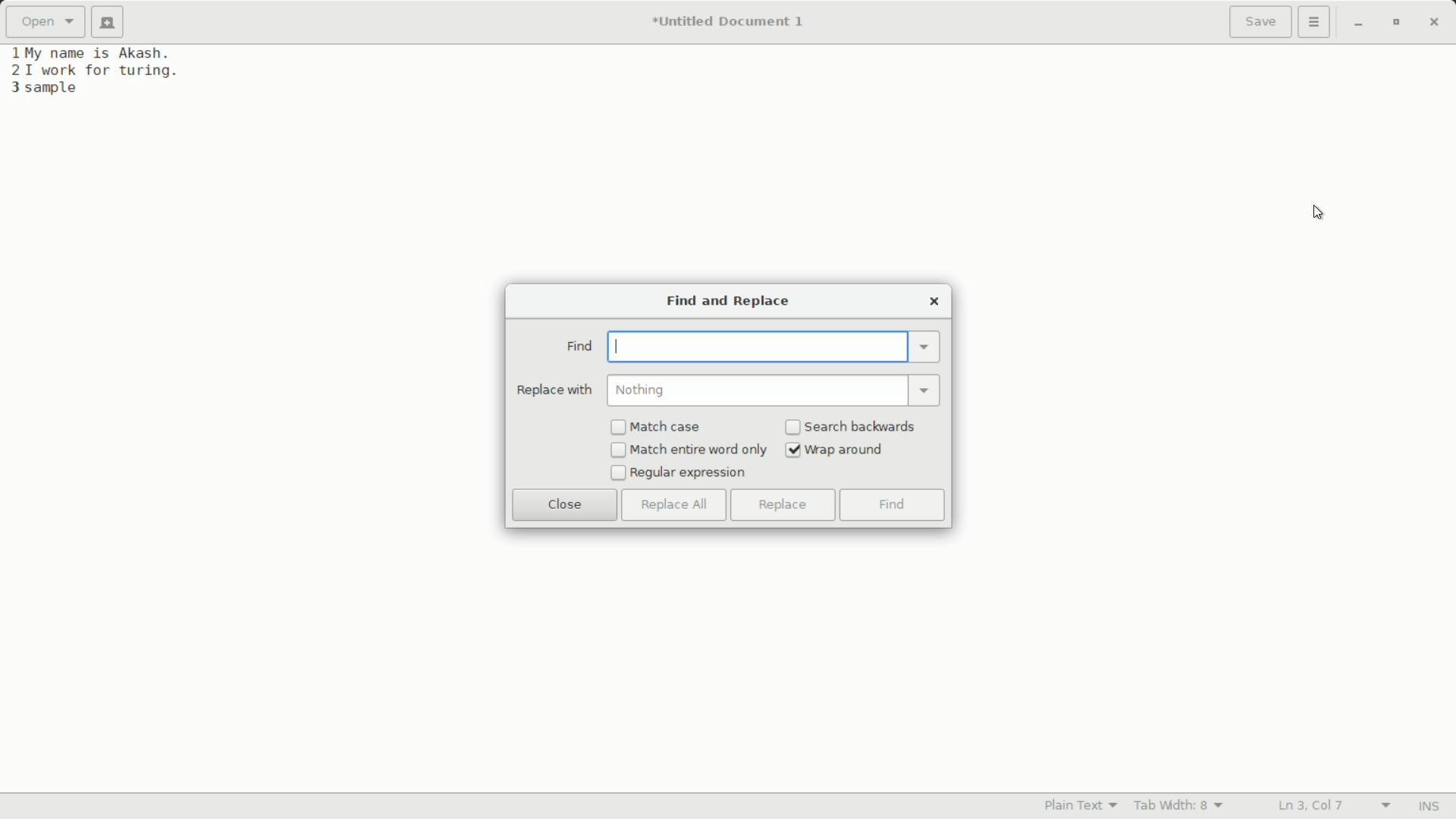 The height and width of the screenshot is (819, 1456). What do you see at coordinates (1358, 24) in the screenshot?
I see `minimize` at bounding box center [1358, 24].